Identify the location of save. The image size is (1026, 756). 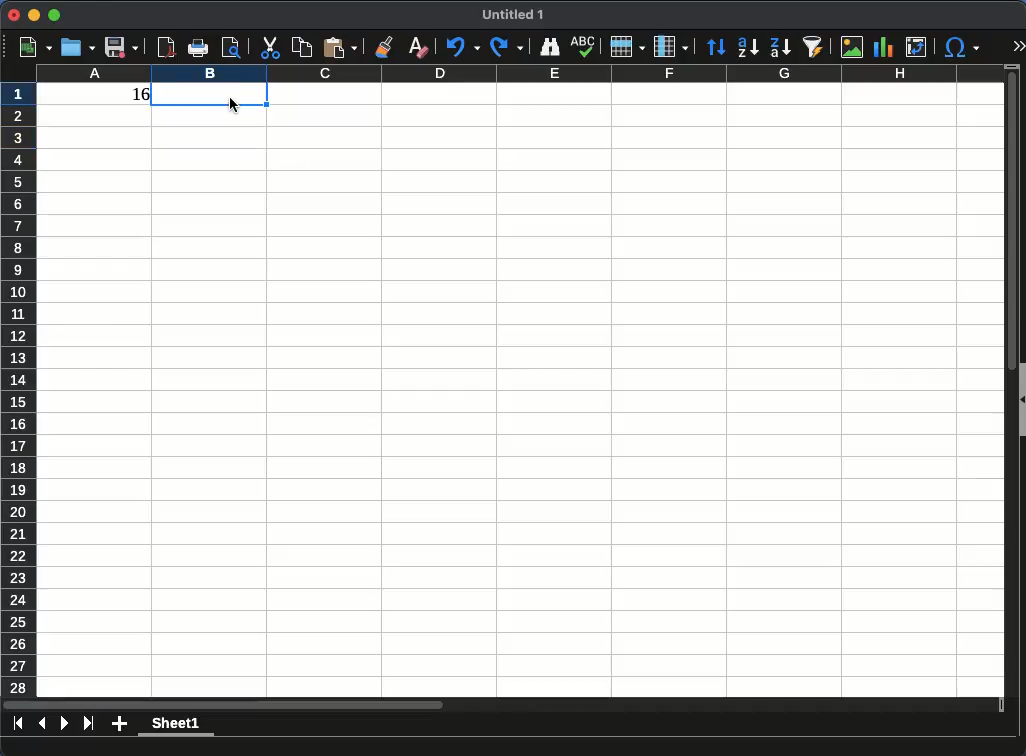
(121, 49).